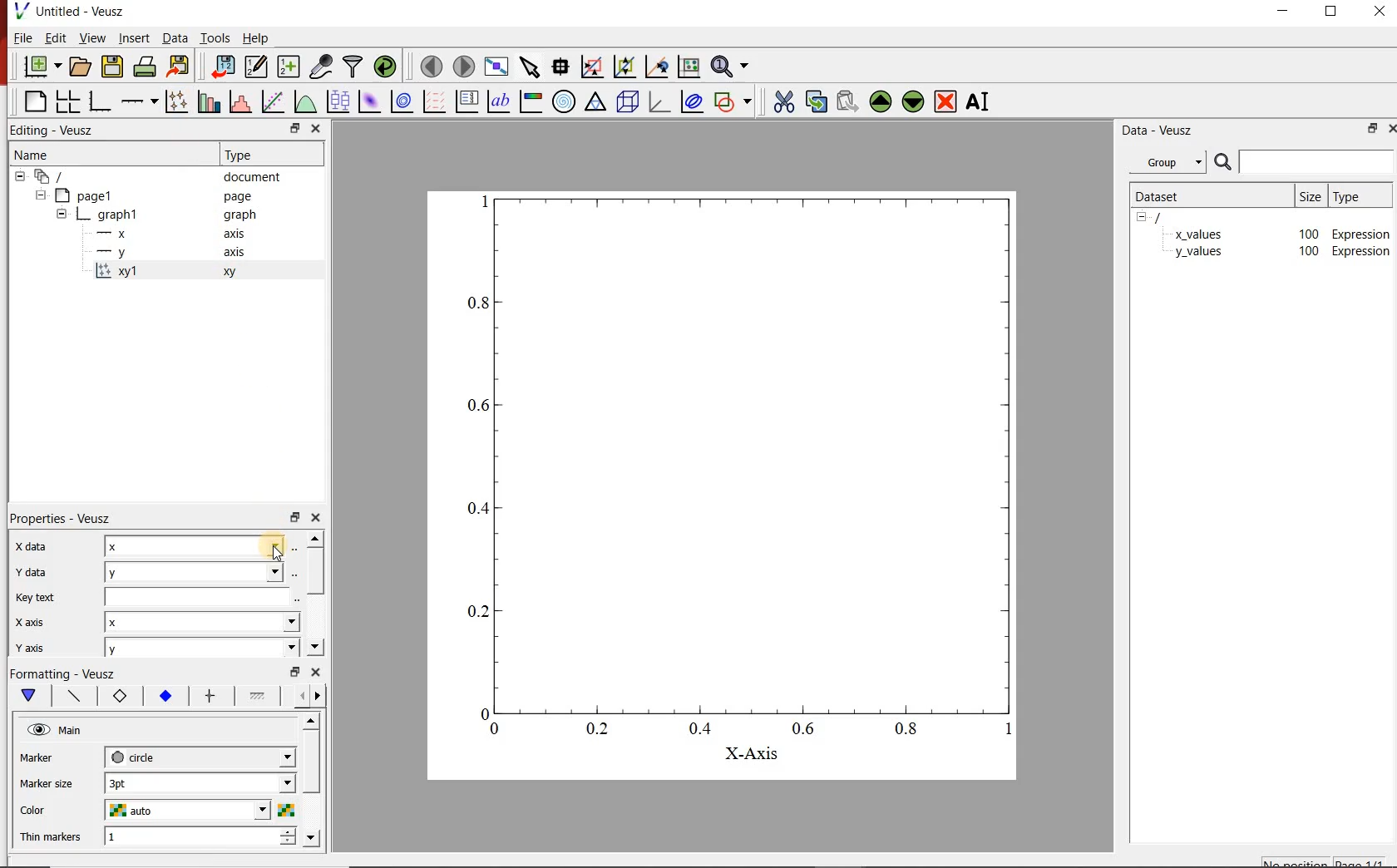 This screenshot has height=868, width=1397. Describe the element at coordinates (37, 549) in the screenshot. I see ` Xdata` at that location.